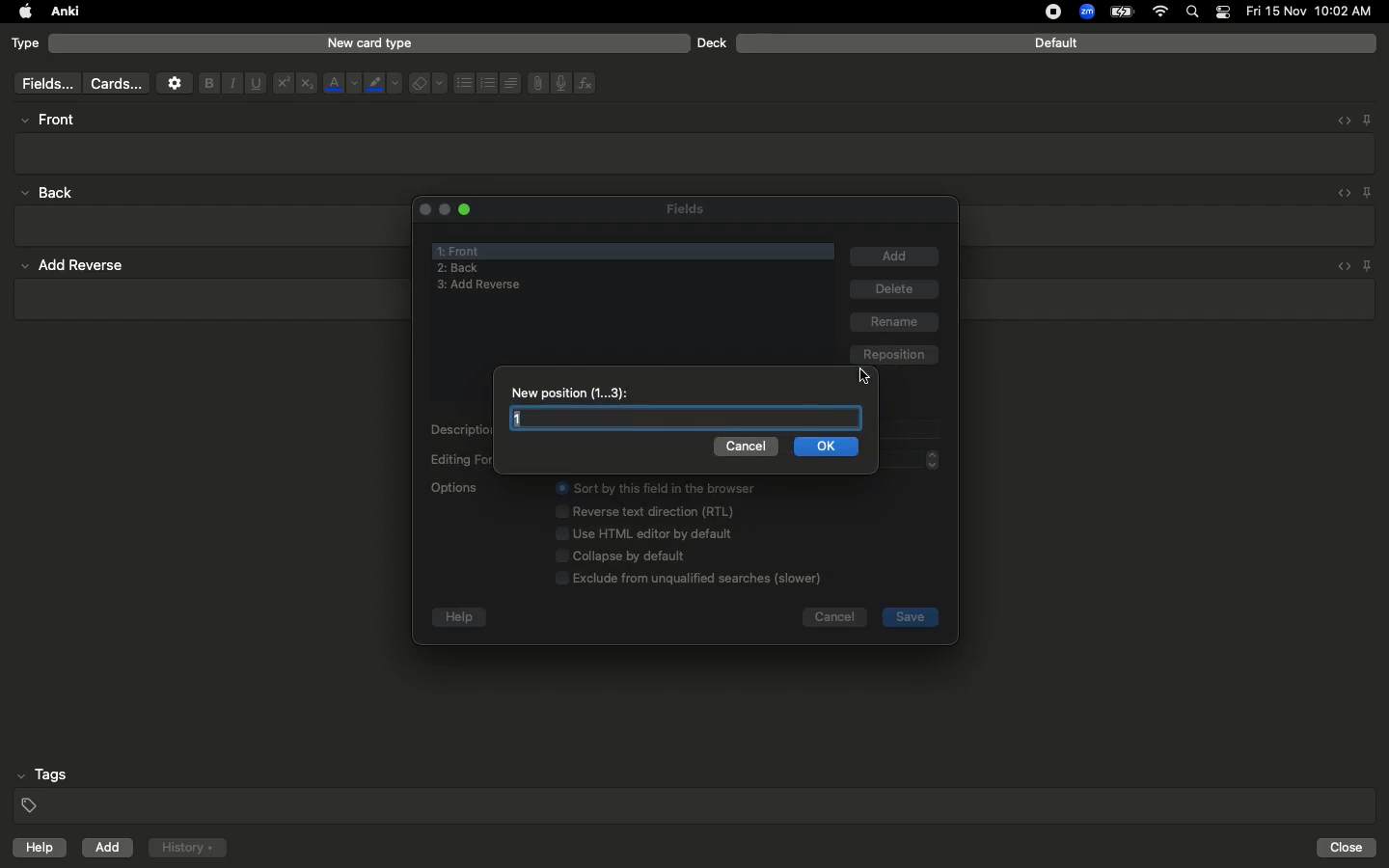 The width and height of the screenshot is (1389, 868). I want to click on Zoom, so click(1085, 13).